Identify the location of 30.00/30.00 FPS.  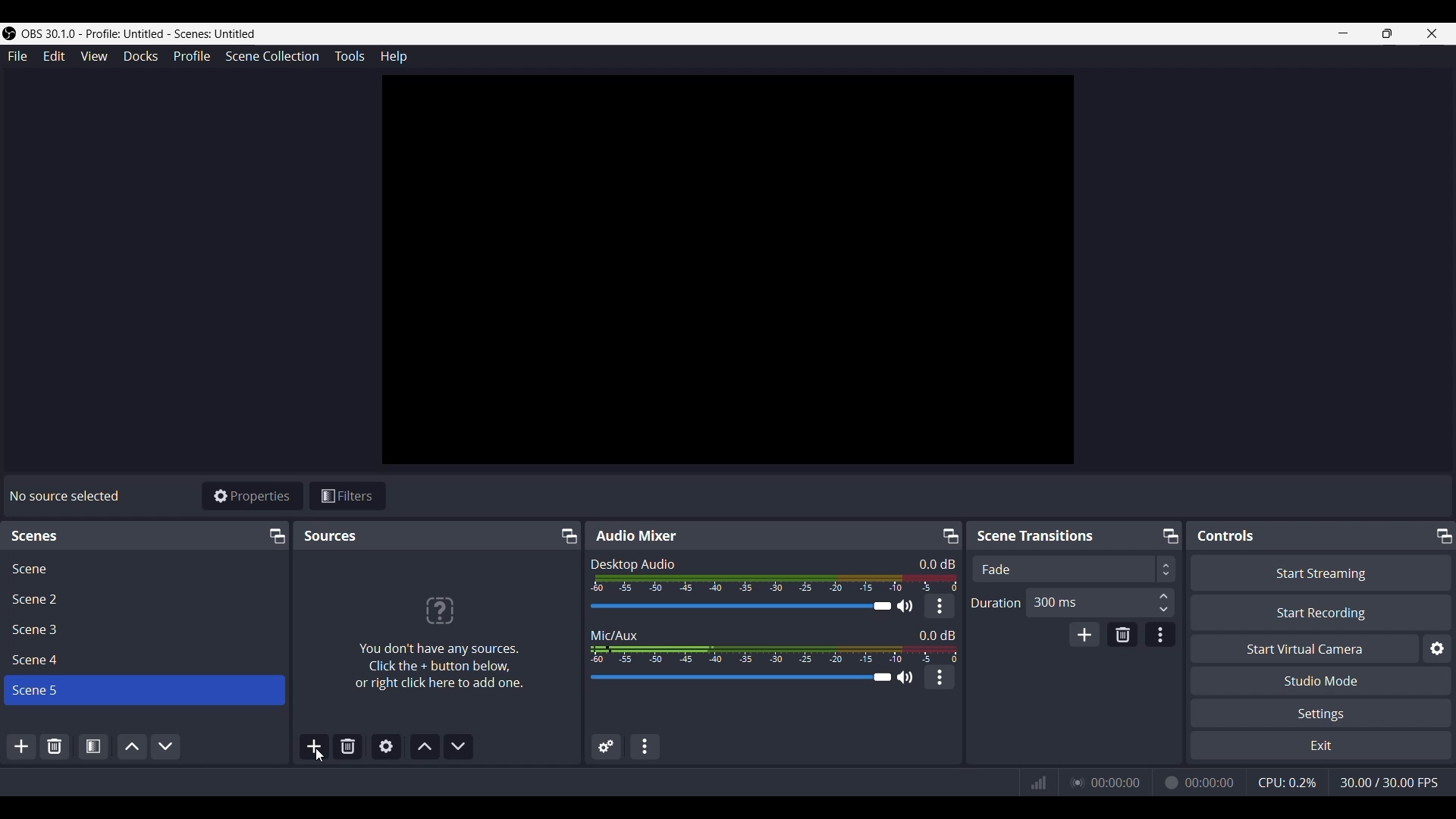
(1389, 782).